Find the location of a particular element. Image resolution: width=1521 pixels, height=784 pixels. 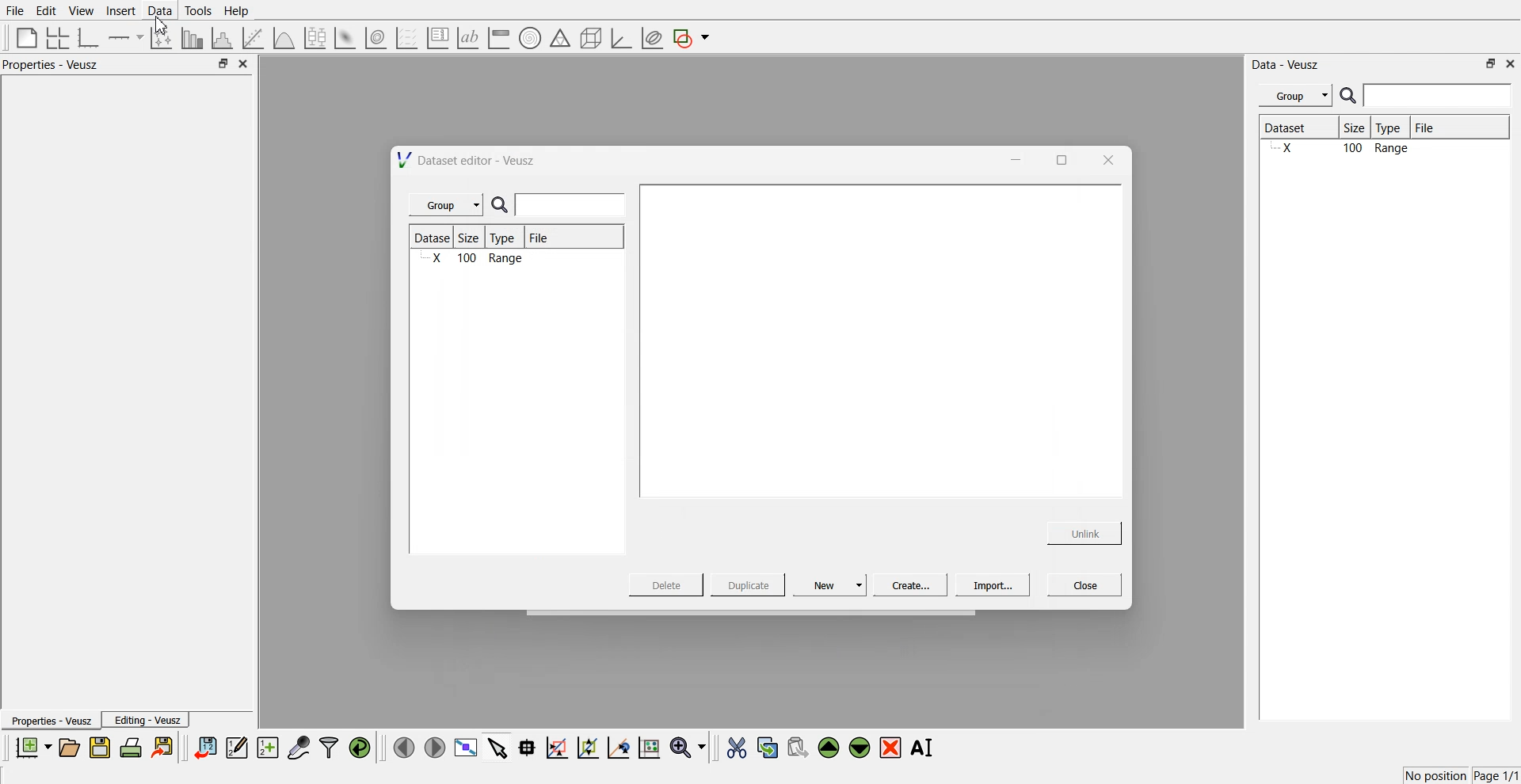

reset the graph axes is located at coordinates (649, 748).